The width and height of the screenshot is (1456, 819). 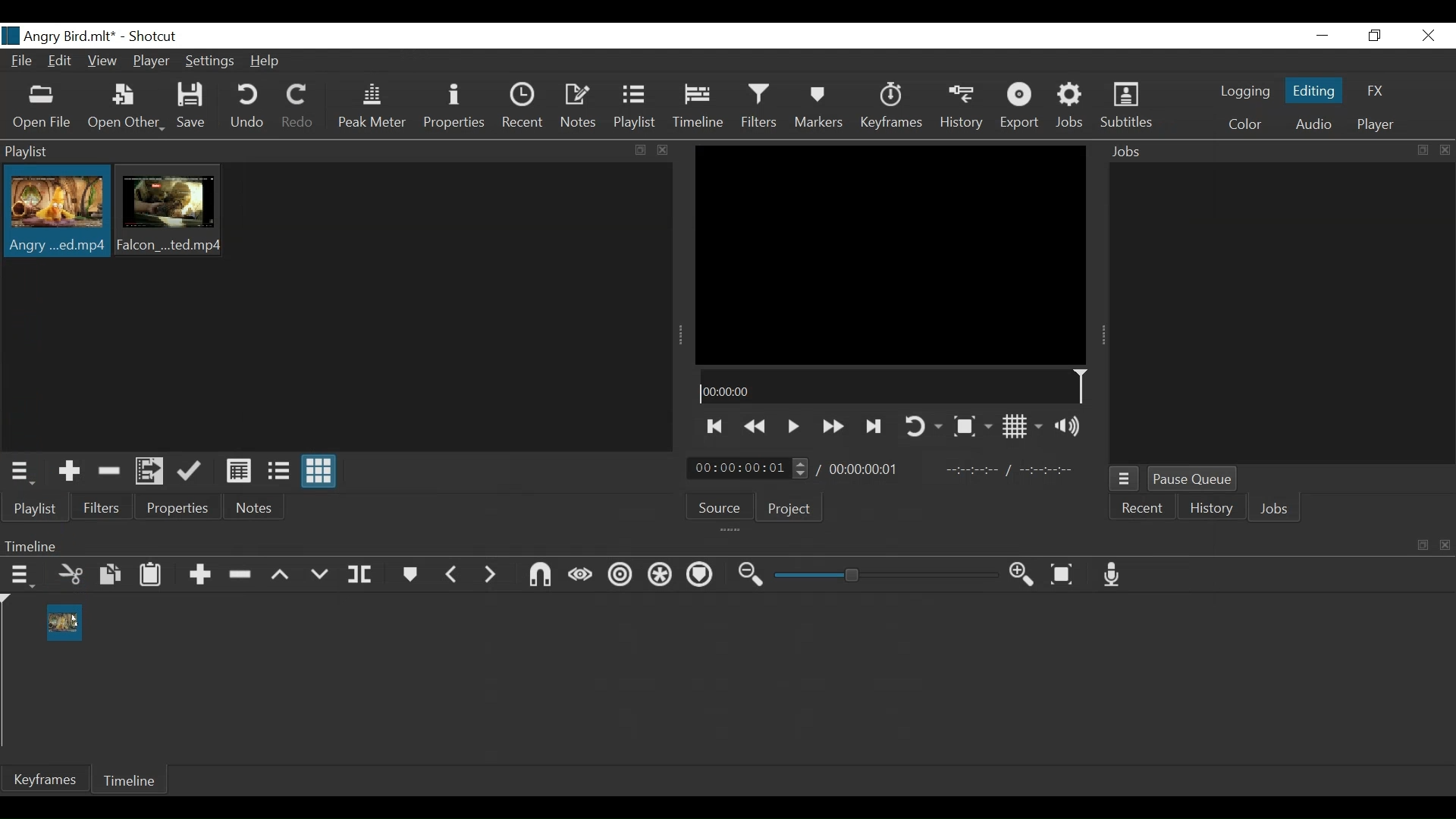 I want to click on Lift, so click(x=280, y=575).